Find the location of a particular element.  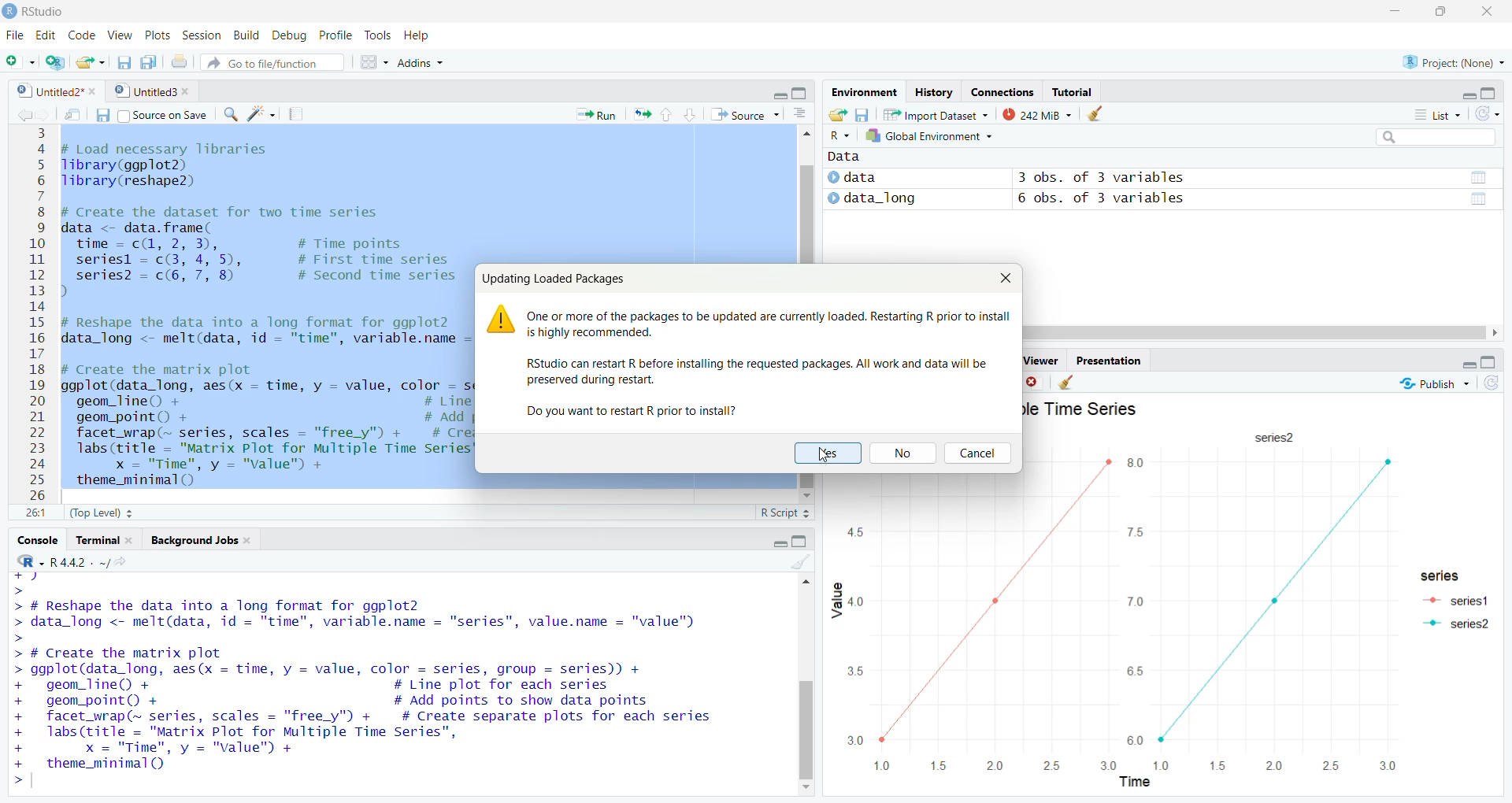

Maximize is located at coordinates (1492, 94).